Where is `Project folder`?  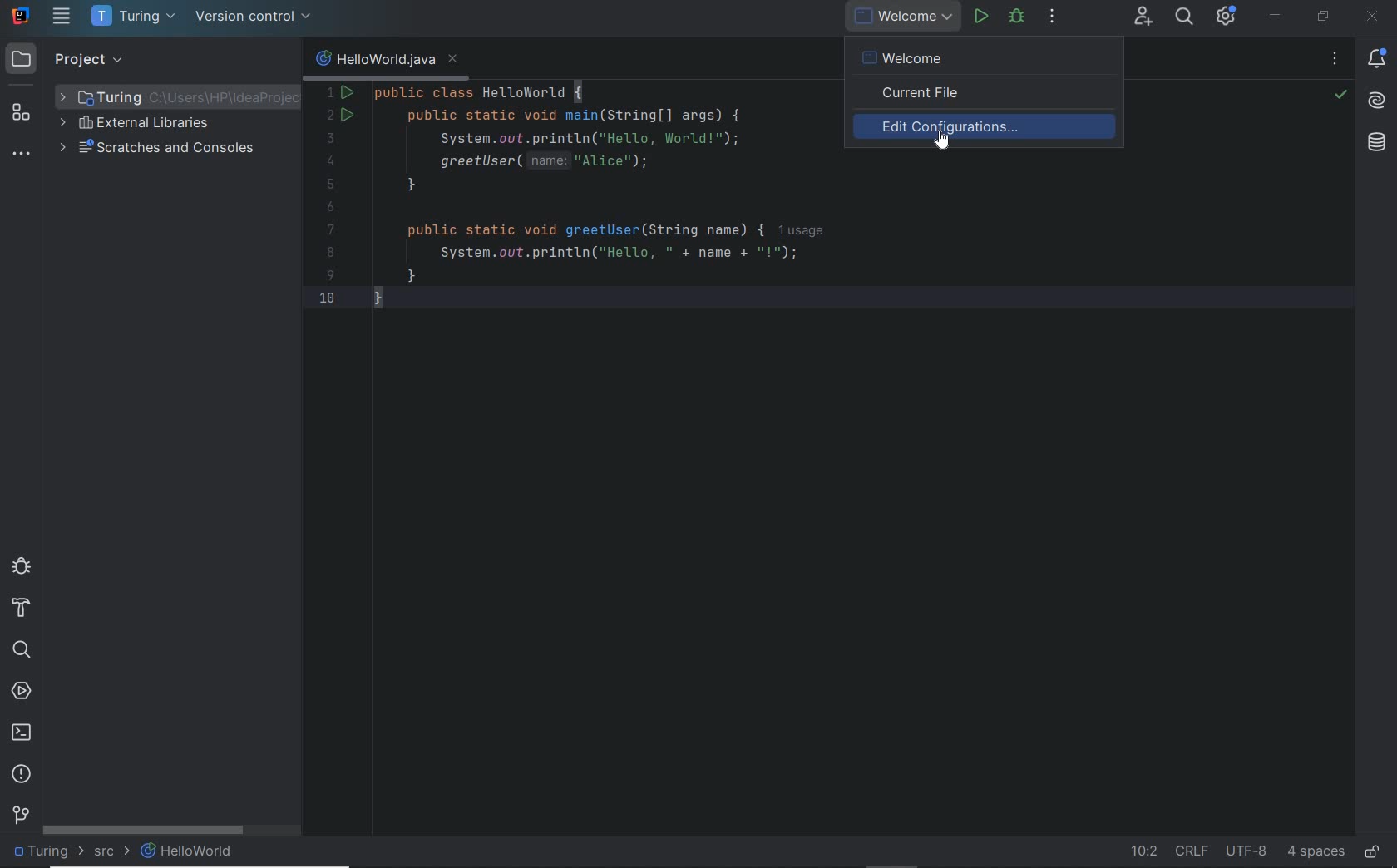 Project folder is located at coordinates (163, 96).